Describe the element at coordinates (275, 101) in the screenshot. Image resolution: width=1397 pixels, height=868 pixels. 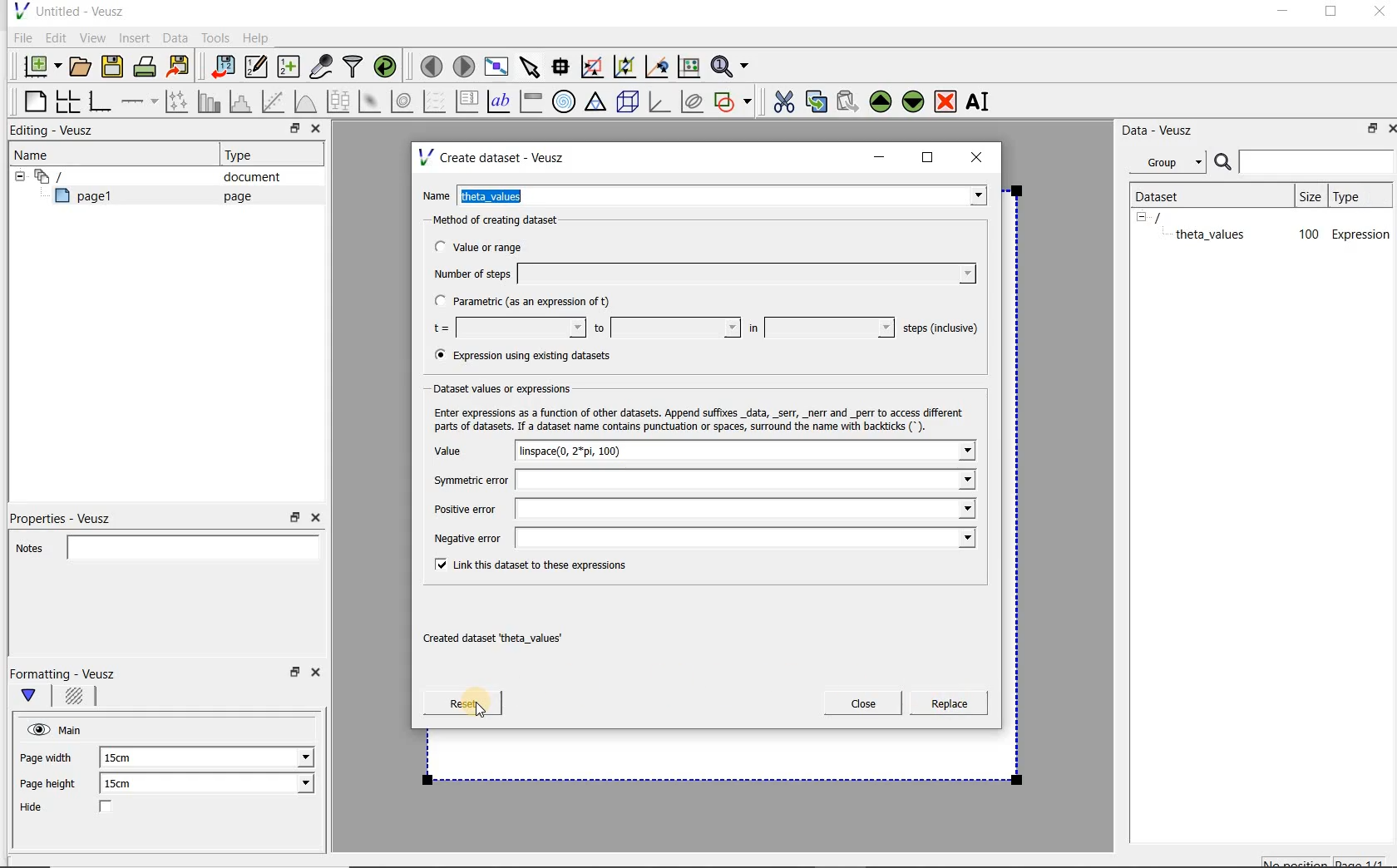
I see `Fit a function to data` at that location.